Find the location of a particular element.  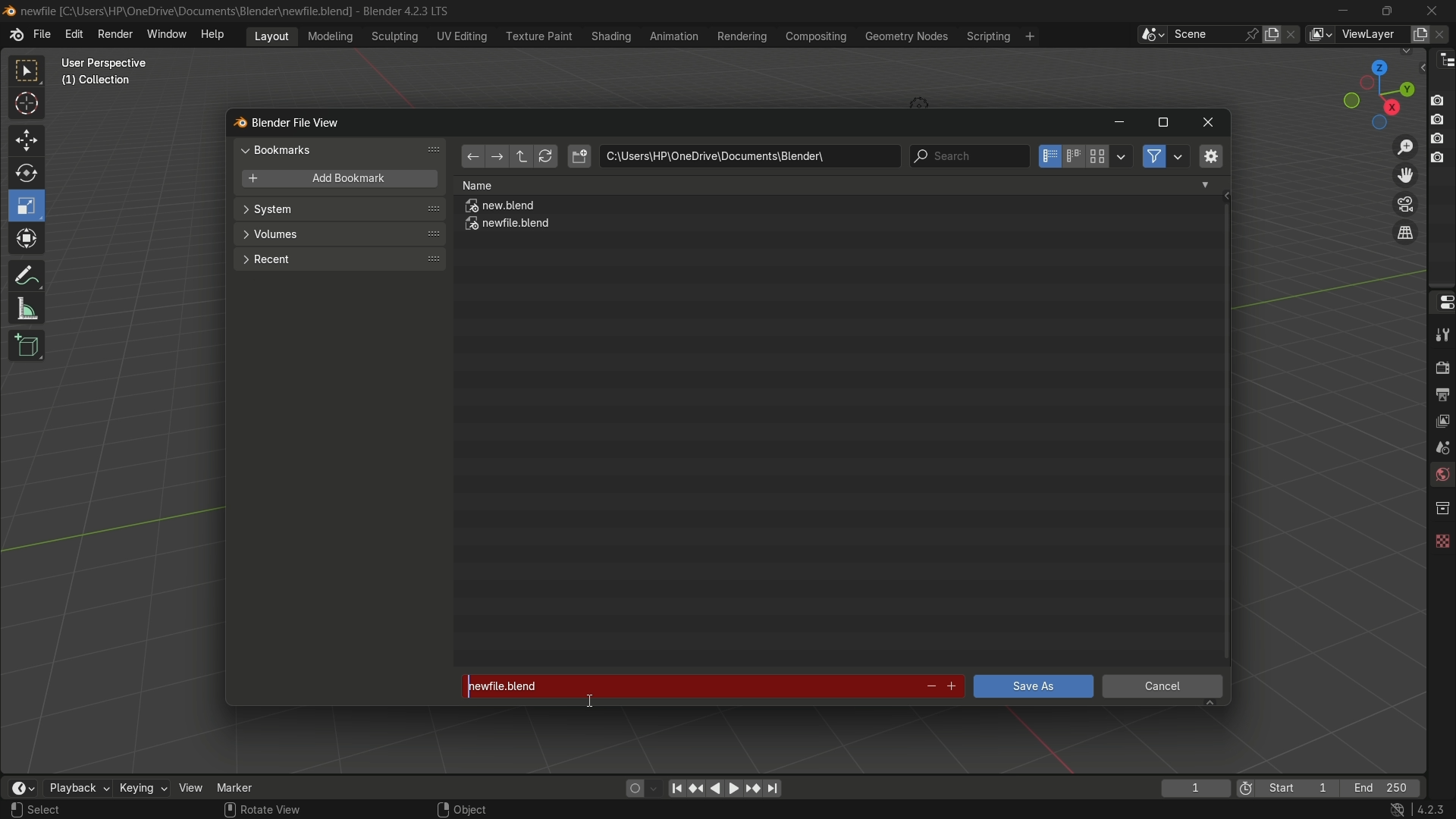

cancel is located at coordinates (1163, 689).